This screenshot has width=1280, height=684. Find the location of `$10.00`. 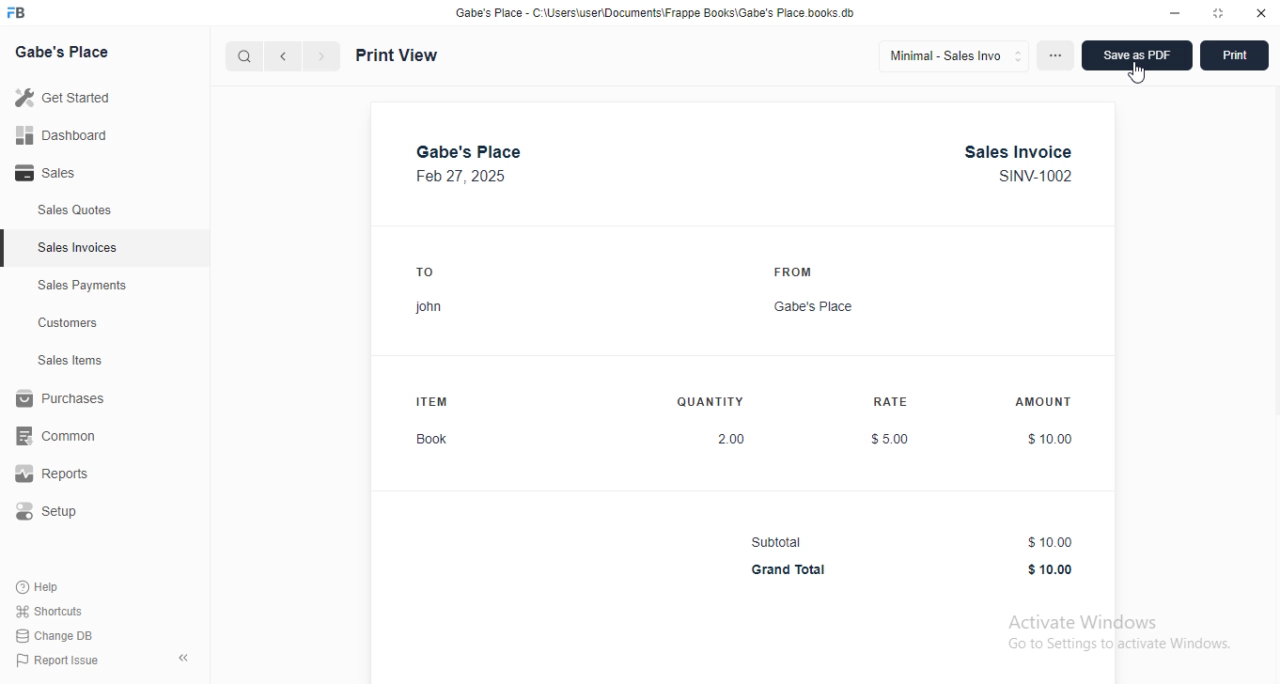

$10.00 is located at coordinates (1051, 542).